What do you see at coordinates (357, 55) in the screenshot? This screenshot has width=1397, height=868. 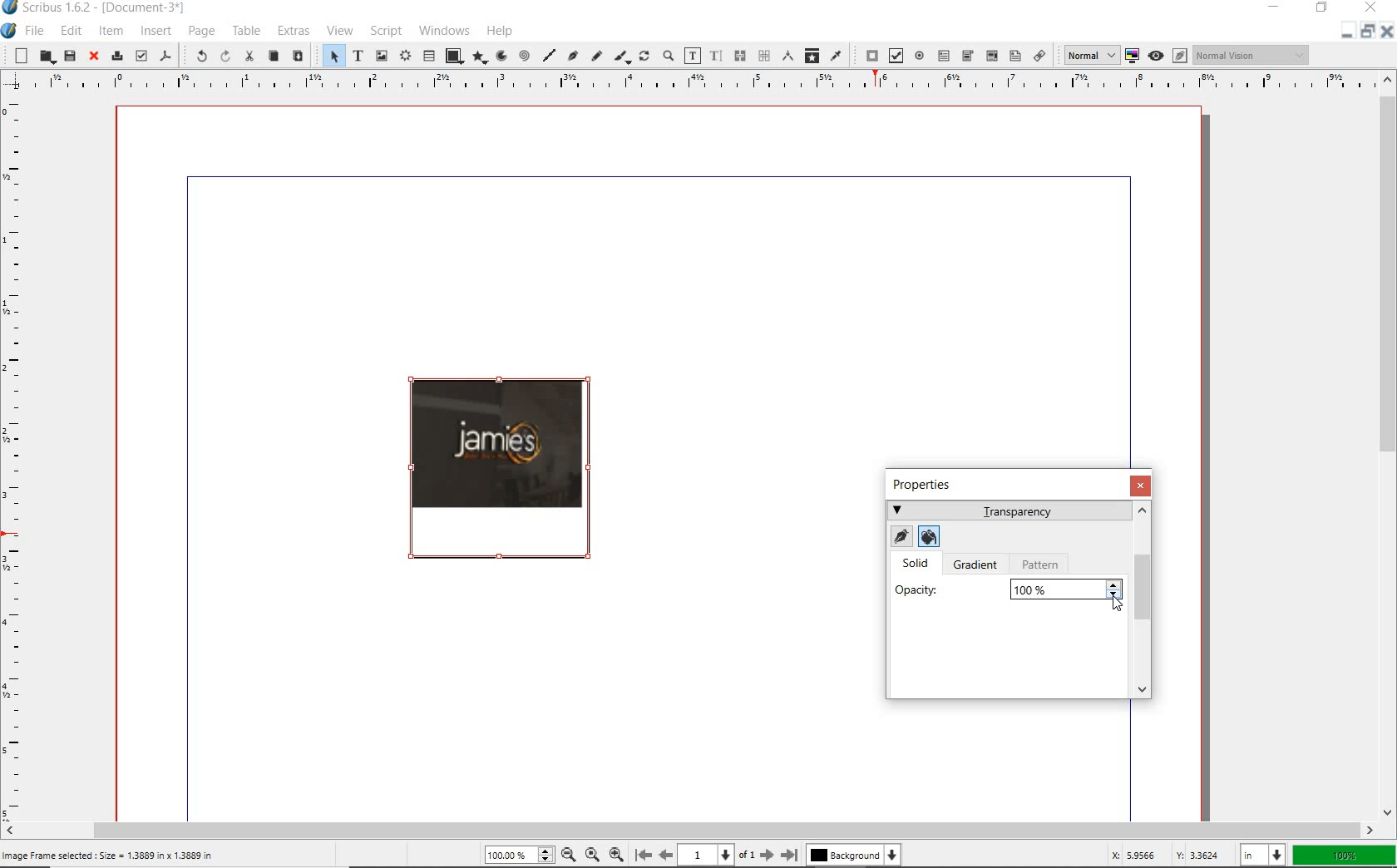 I see `text frame` at bounding box center [357, 55].